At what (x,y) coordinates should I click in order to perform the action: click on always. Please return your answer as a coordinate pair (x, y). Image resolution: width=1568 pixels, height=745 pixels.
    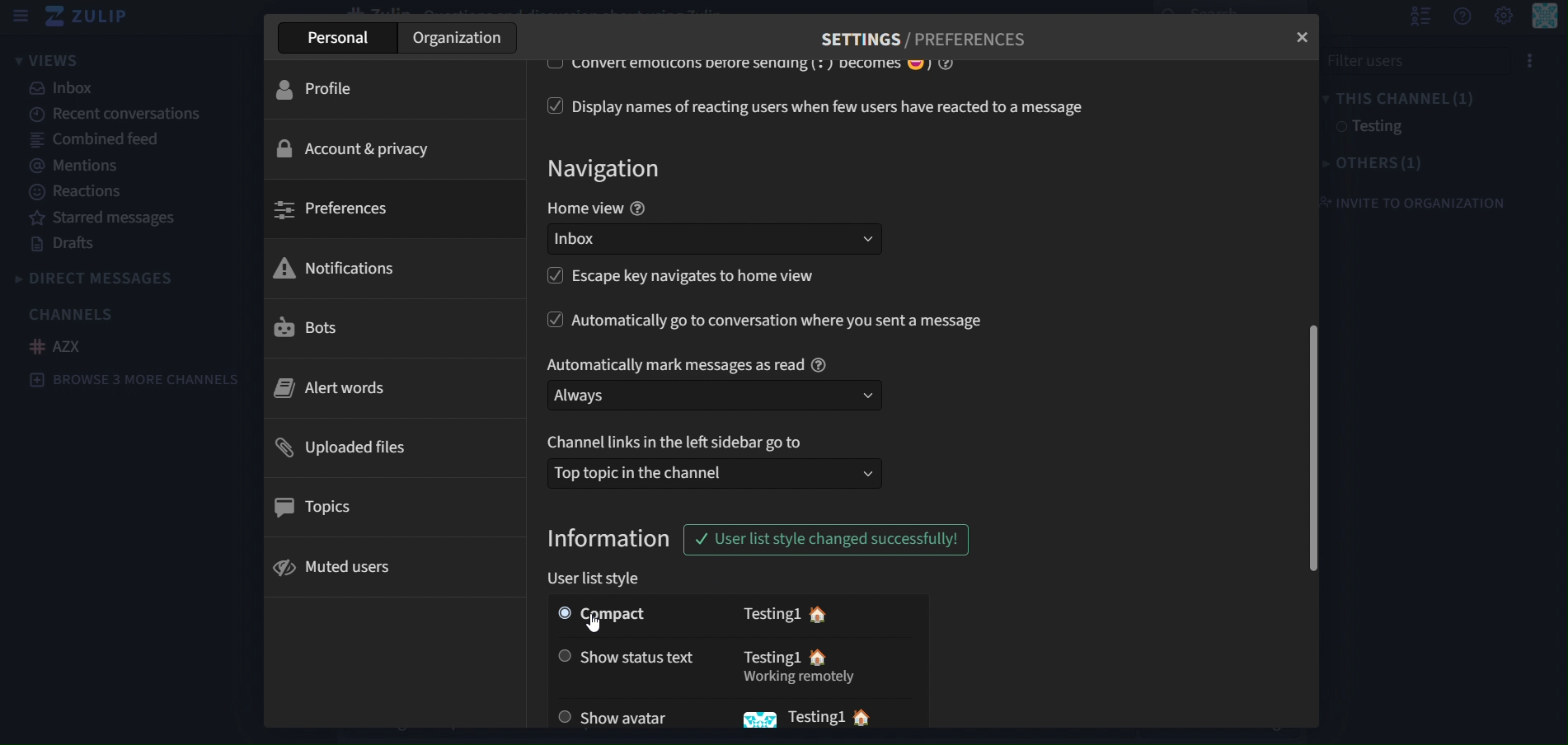
    Looking at the image, I should click on (715, 396).